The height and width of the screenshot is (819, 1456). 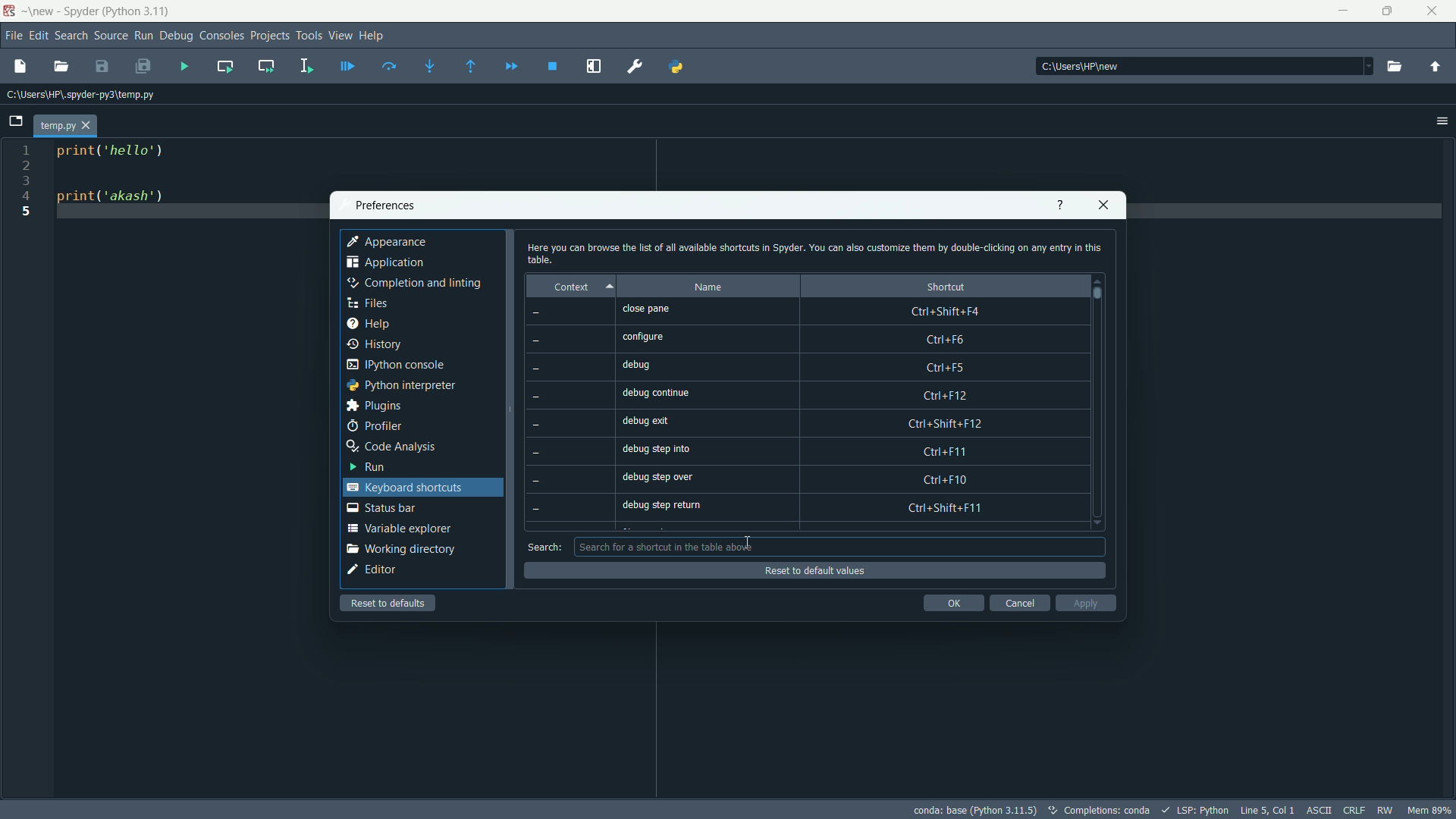 What do you see at coordinates (20, 65) in the screenshot?
I see `new file` at bounding box center [20, 65].